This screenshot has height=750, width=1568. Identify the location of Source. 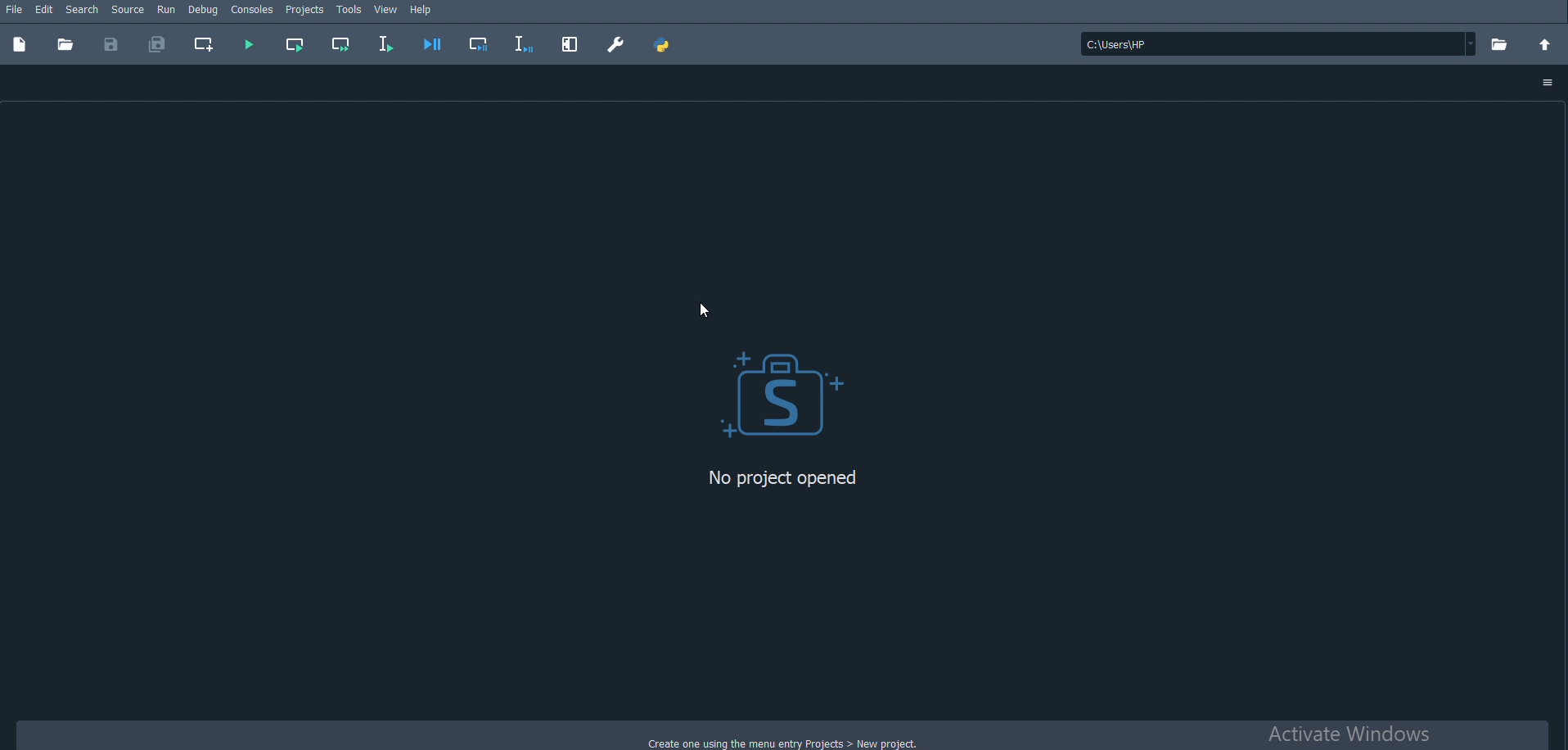
(128, 8).